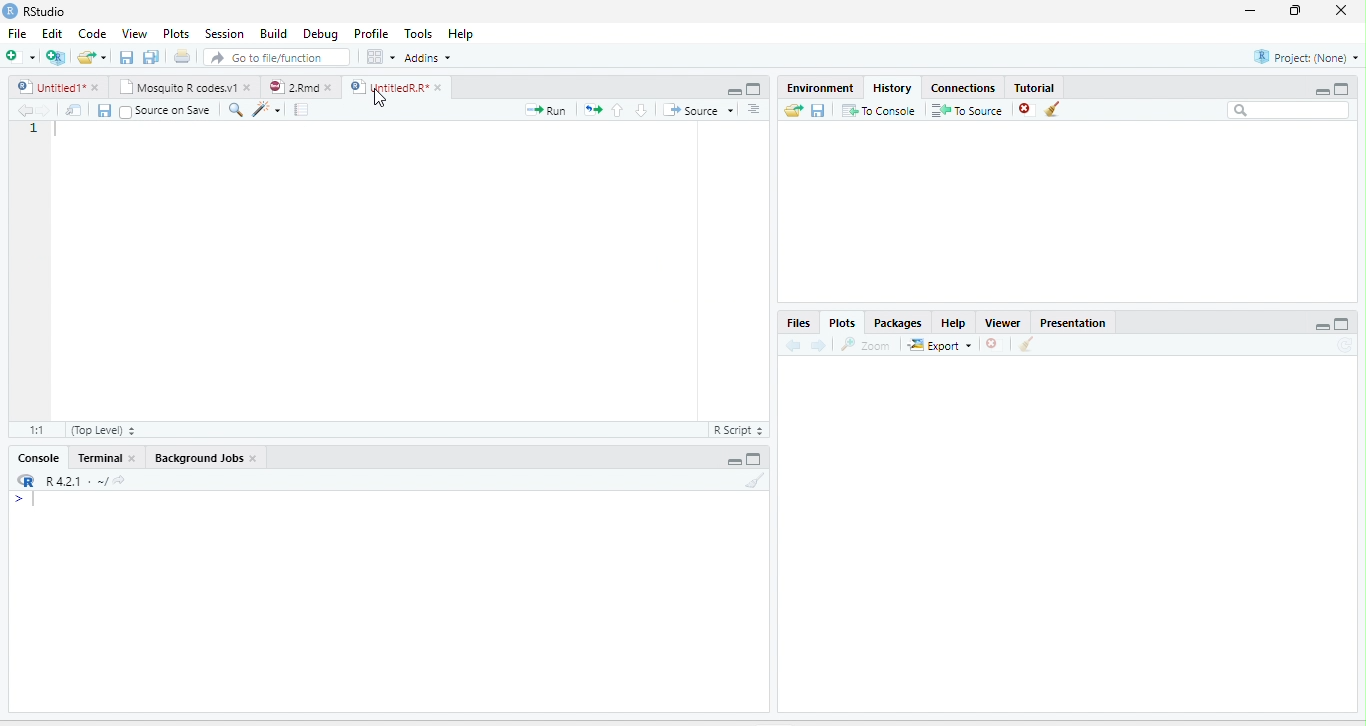 Image resolution: width=1366 pixels, height=726 pixels. I want to click on File, so click(18, 33).